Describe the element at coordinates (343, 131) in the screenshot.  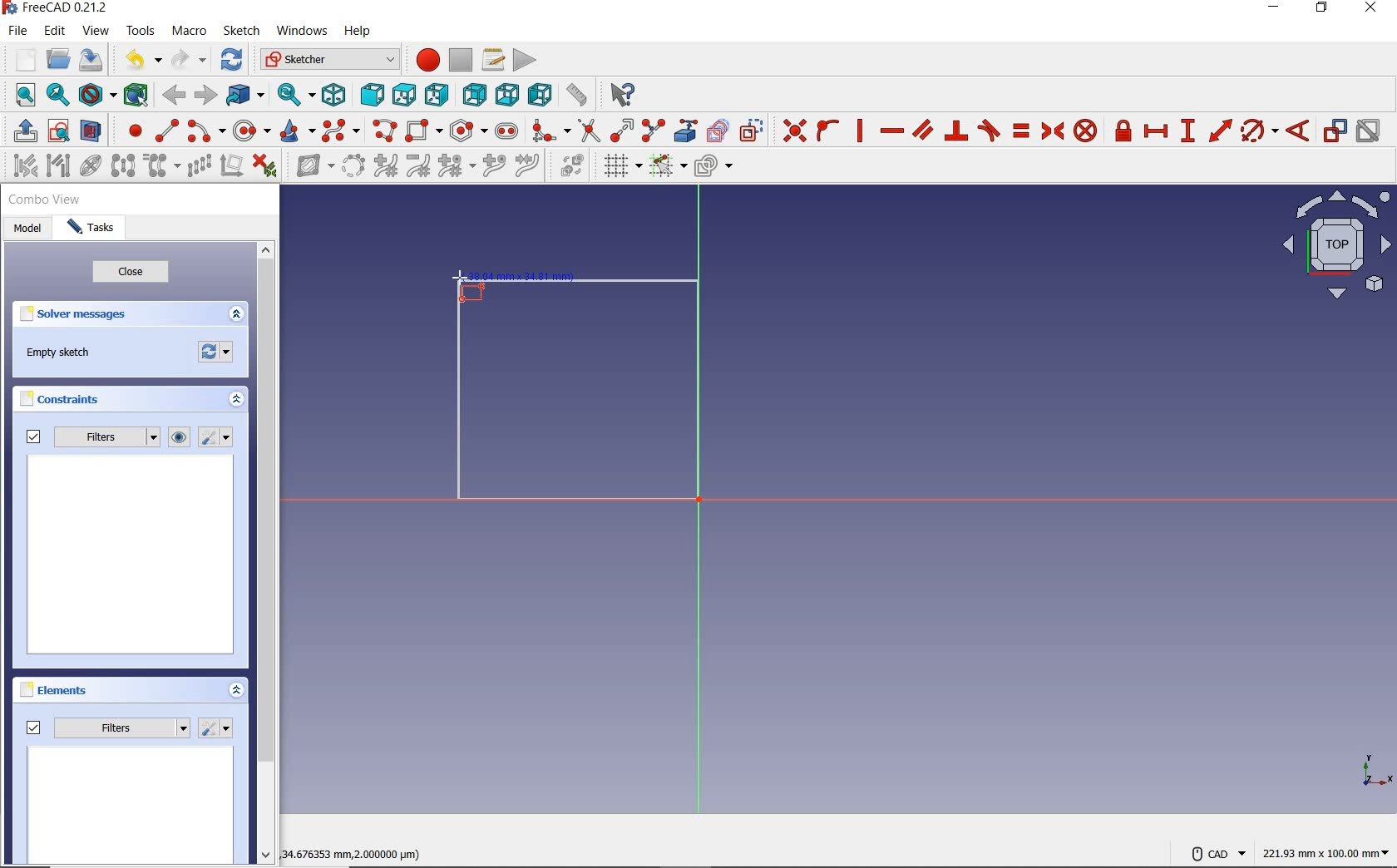
I see `create B-Spline` at that location.